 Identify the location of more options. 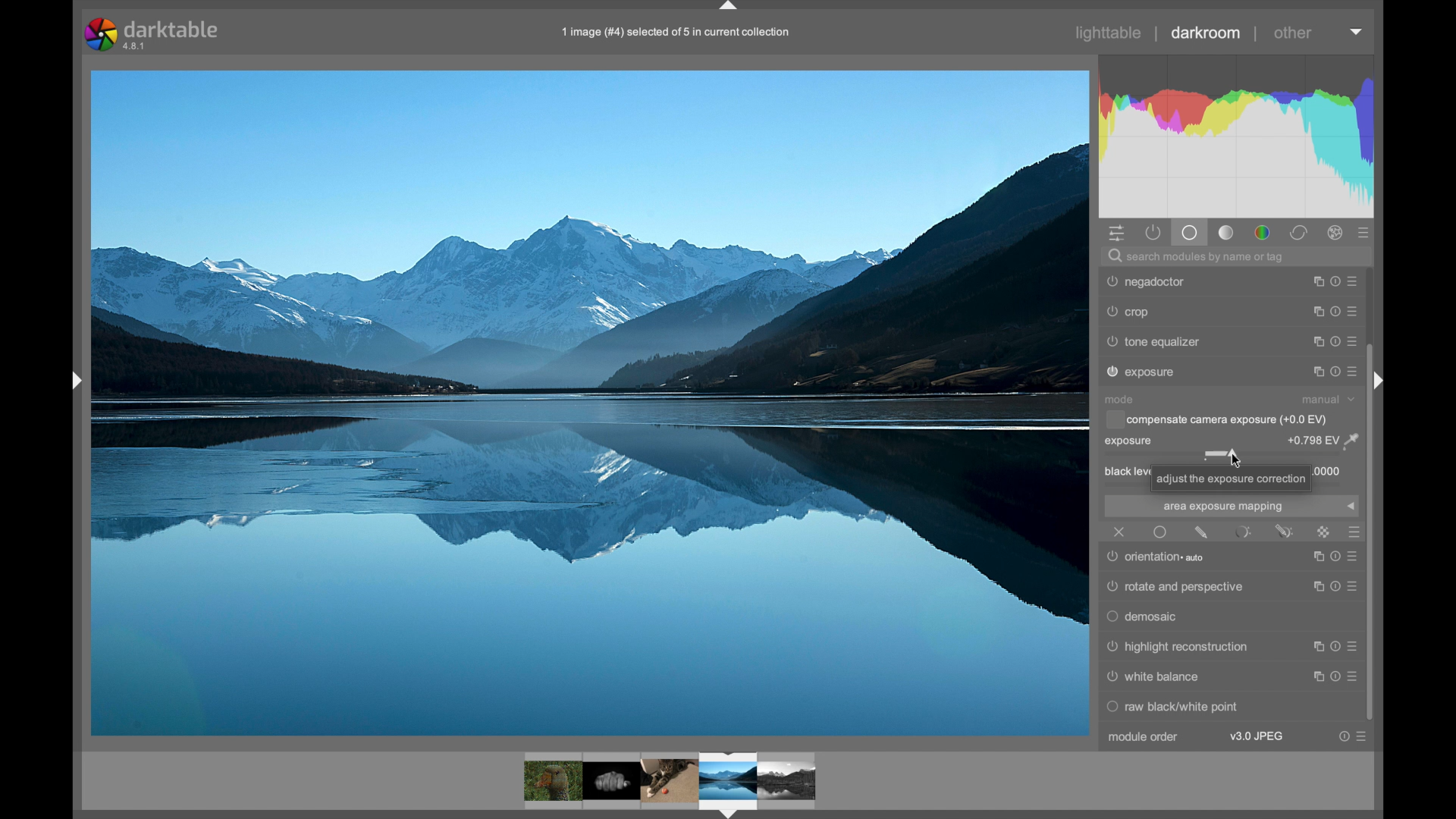
(1354, 736).